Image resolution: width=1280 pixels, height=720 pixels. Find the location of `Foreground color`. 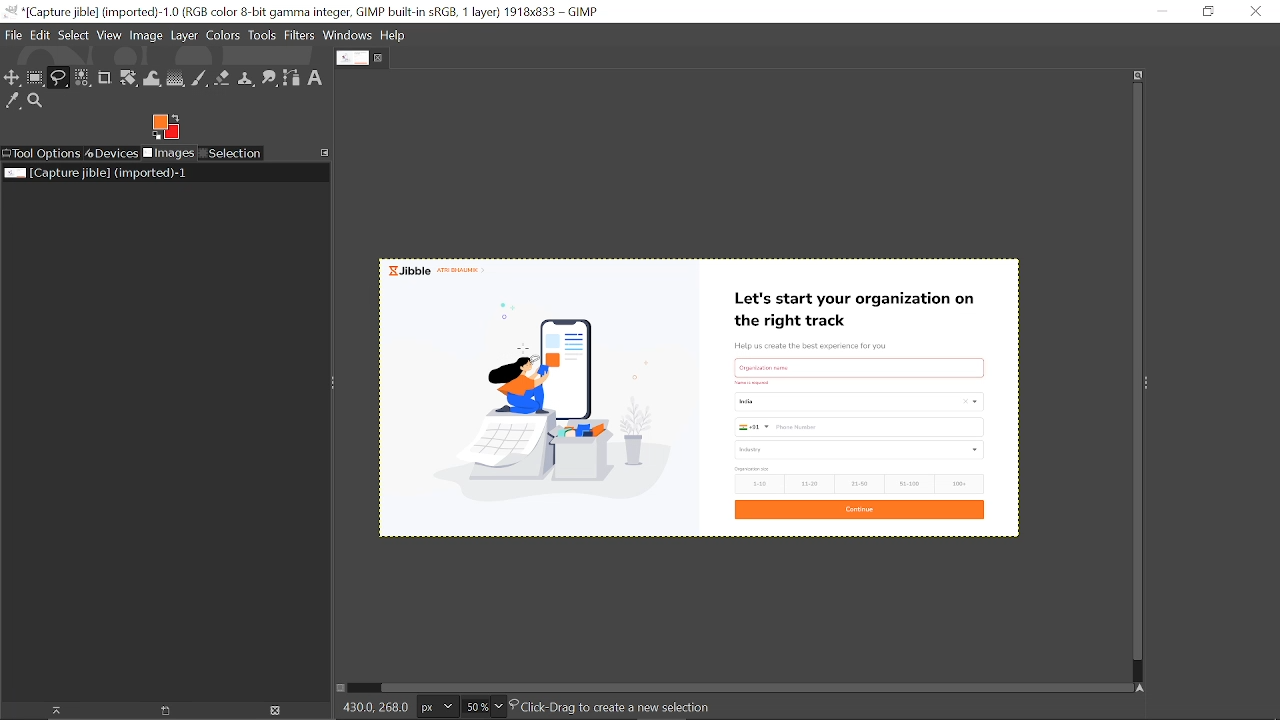

Foreground color is located at coordinates (166, 127).